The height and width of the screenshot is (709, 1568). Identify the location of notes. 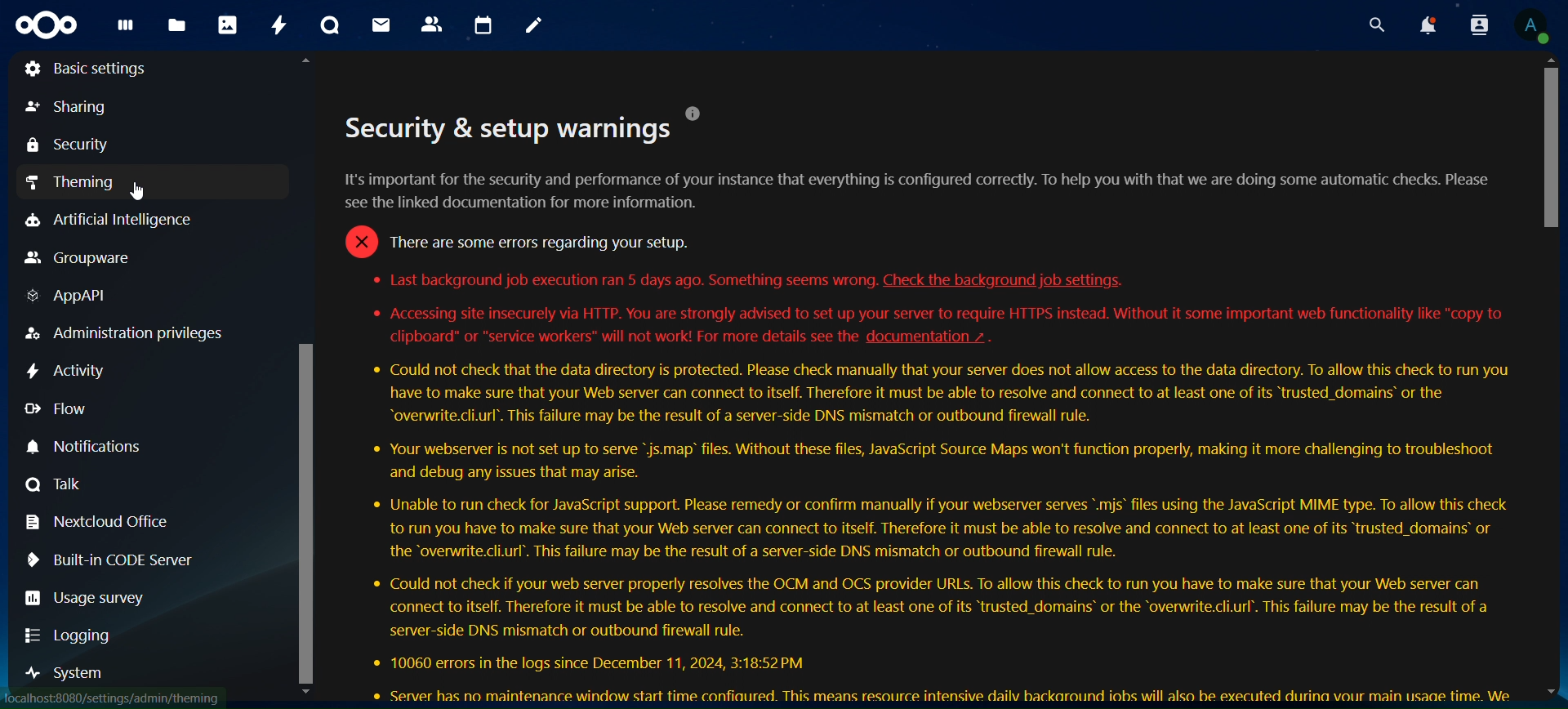
(537, 26).